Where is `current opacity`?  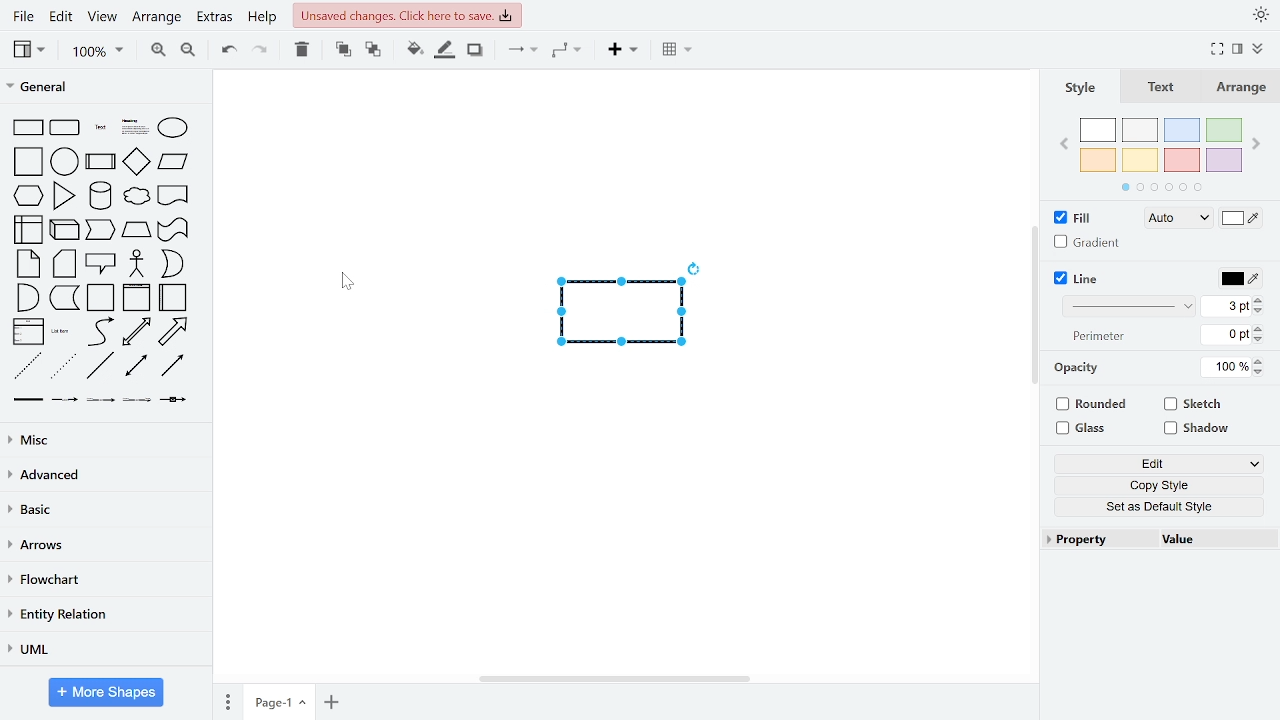 current opacity is located at coordinates (1226, 368).